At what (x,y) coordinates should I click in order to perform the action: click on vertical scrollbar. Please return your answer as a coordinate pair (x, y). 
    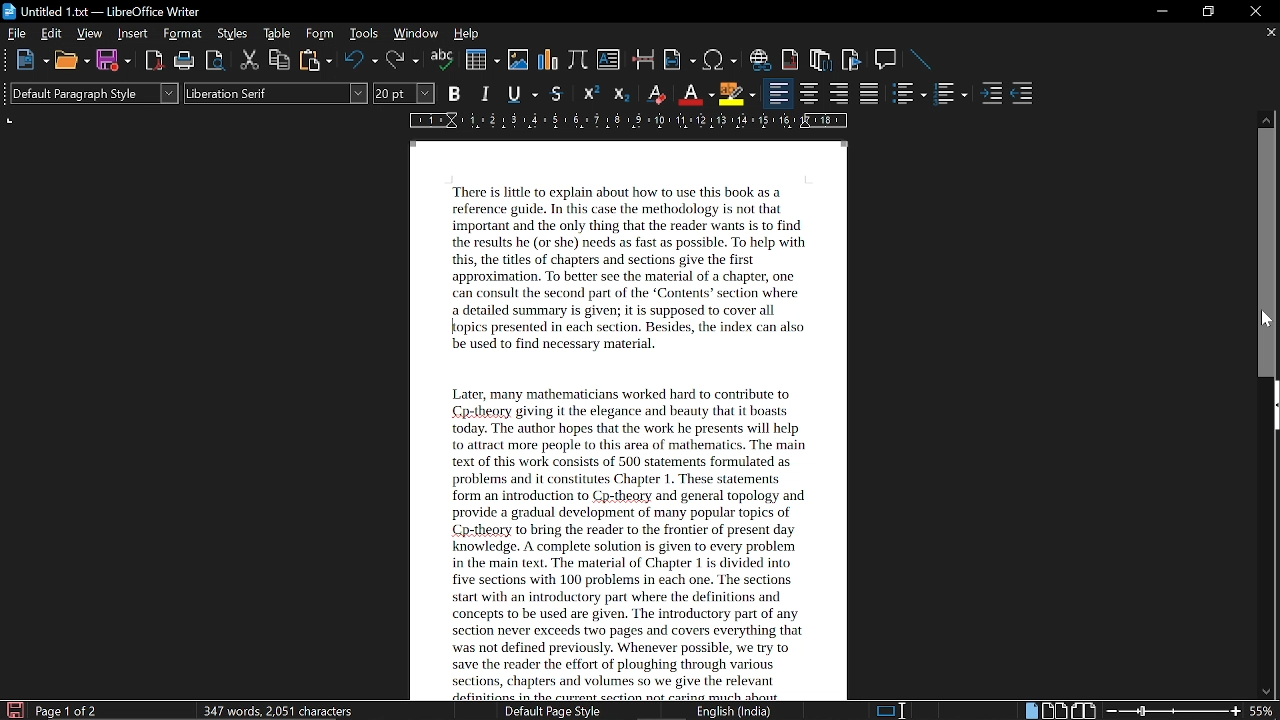
    Looking at the image, I should click on (1269, 253).